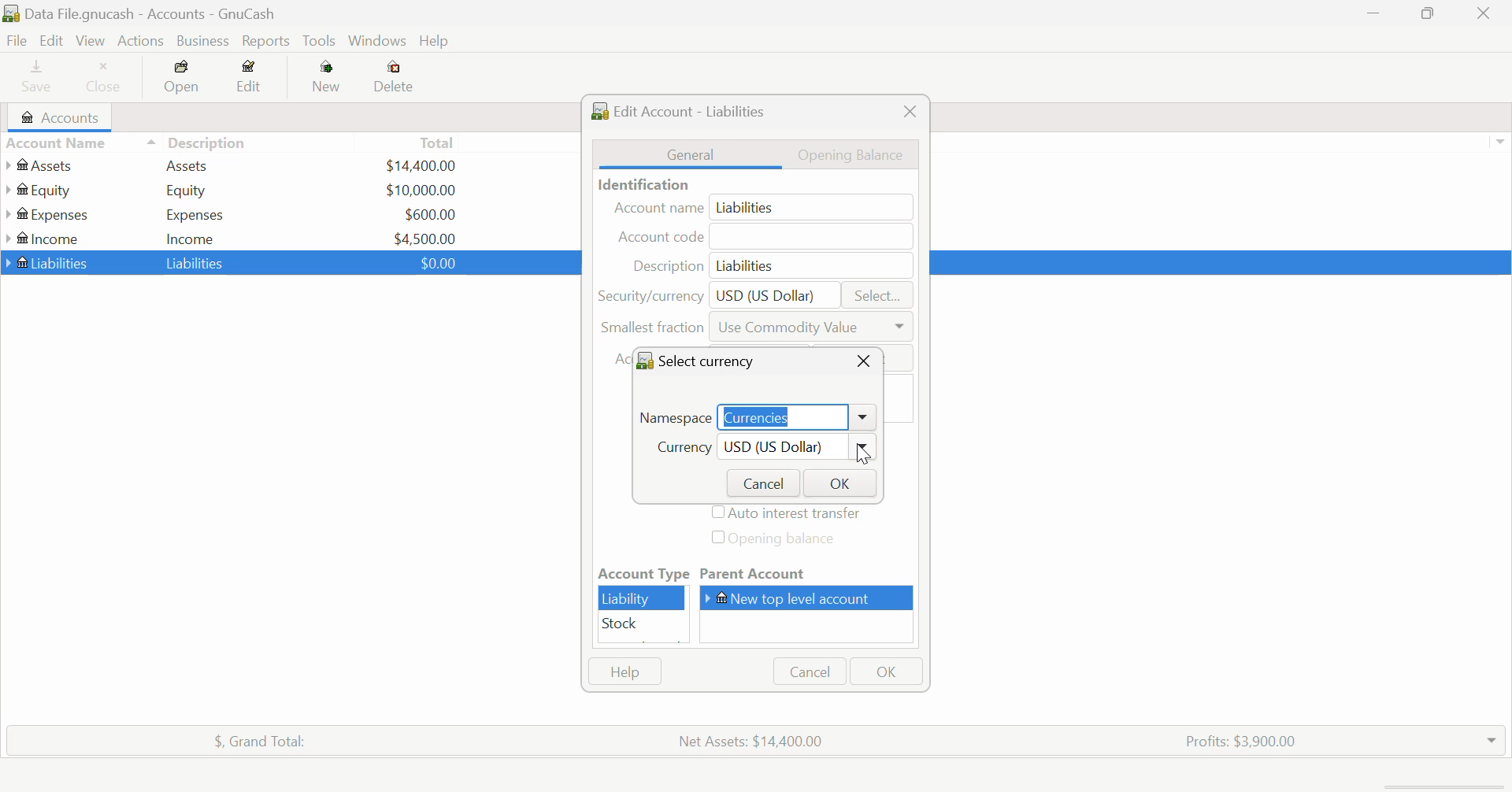  Describe the element at coordinates (139, 41) in the screenshot. I see `Actions` at that location.